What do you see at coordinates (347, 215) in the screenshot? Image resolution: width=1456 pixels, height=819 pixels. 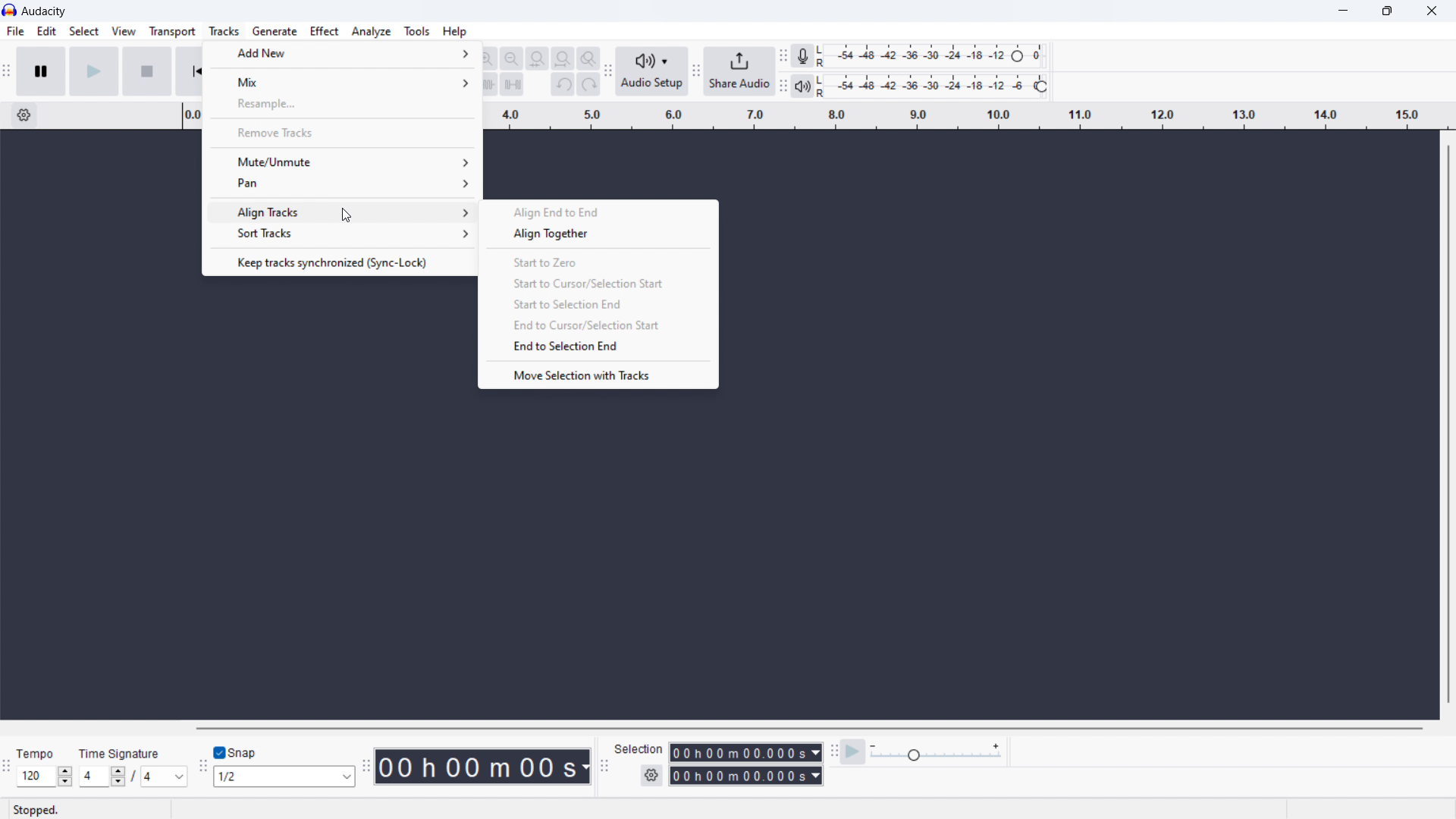 I see `cursor` at bounding box center [347, 215].